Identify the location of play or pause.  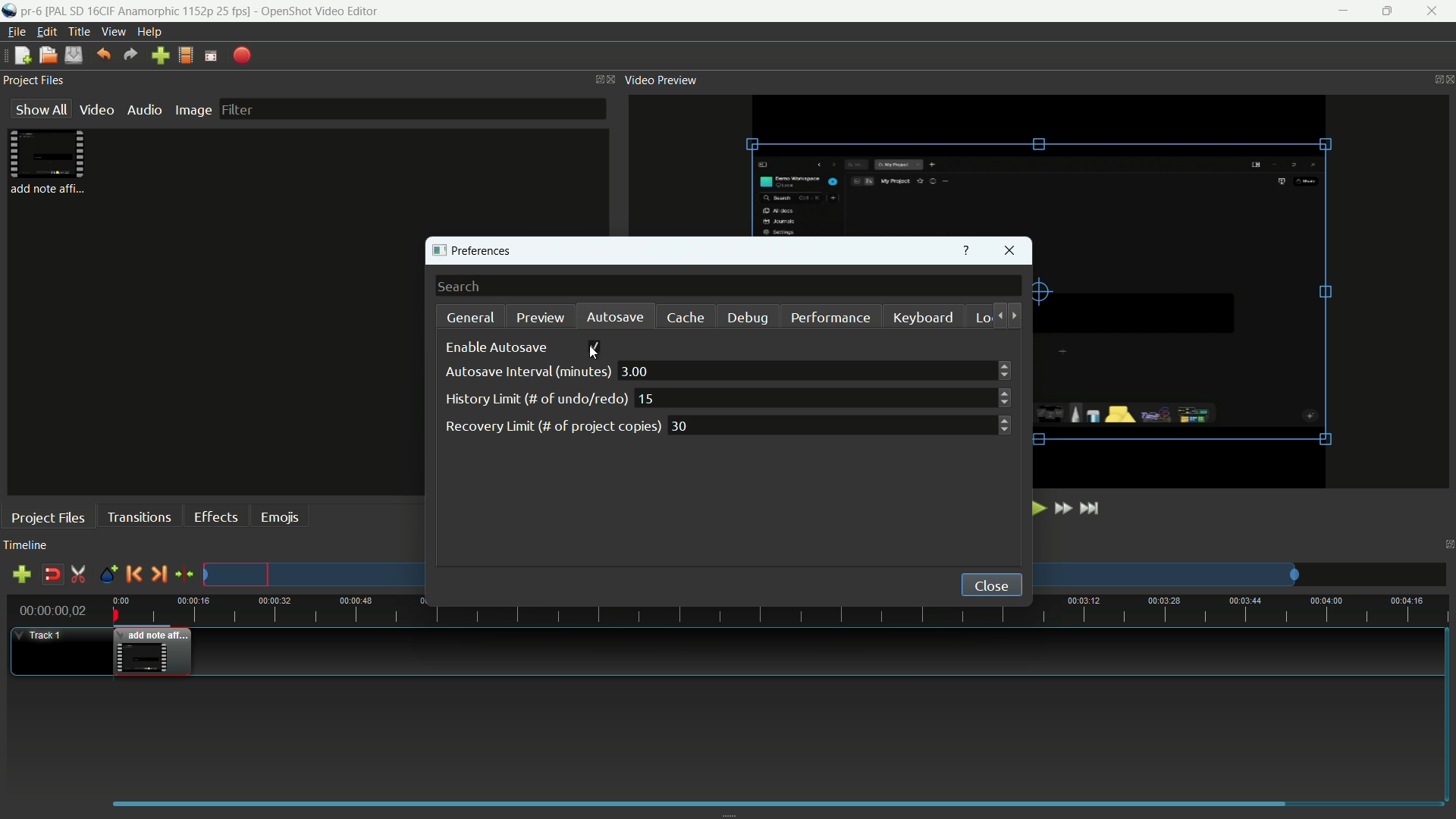
(1036, 508).